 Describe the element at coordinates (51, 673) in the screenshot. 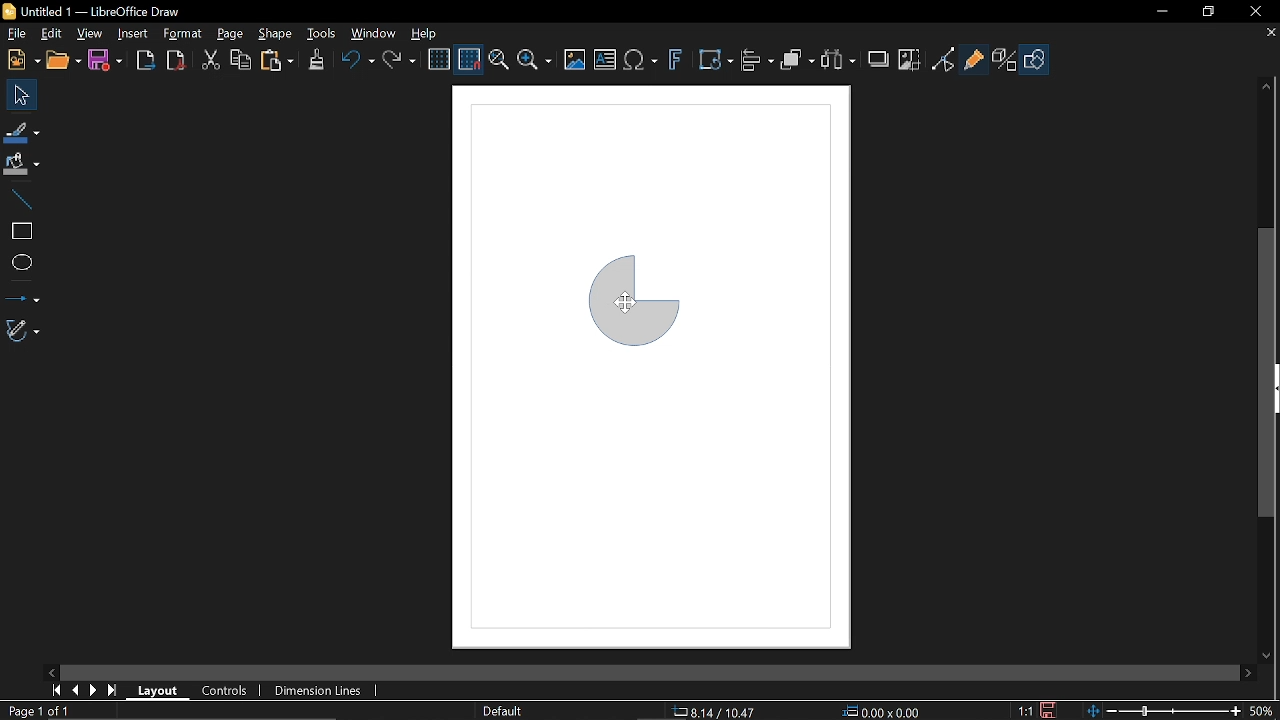

I see `Move left` at that location.